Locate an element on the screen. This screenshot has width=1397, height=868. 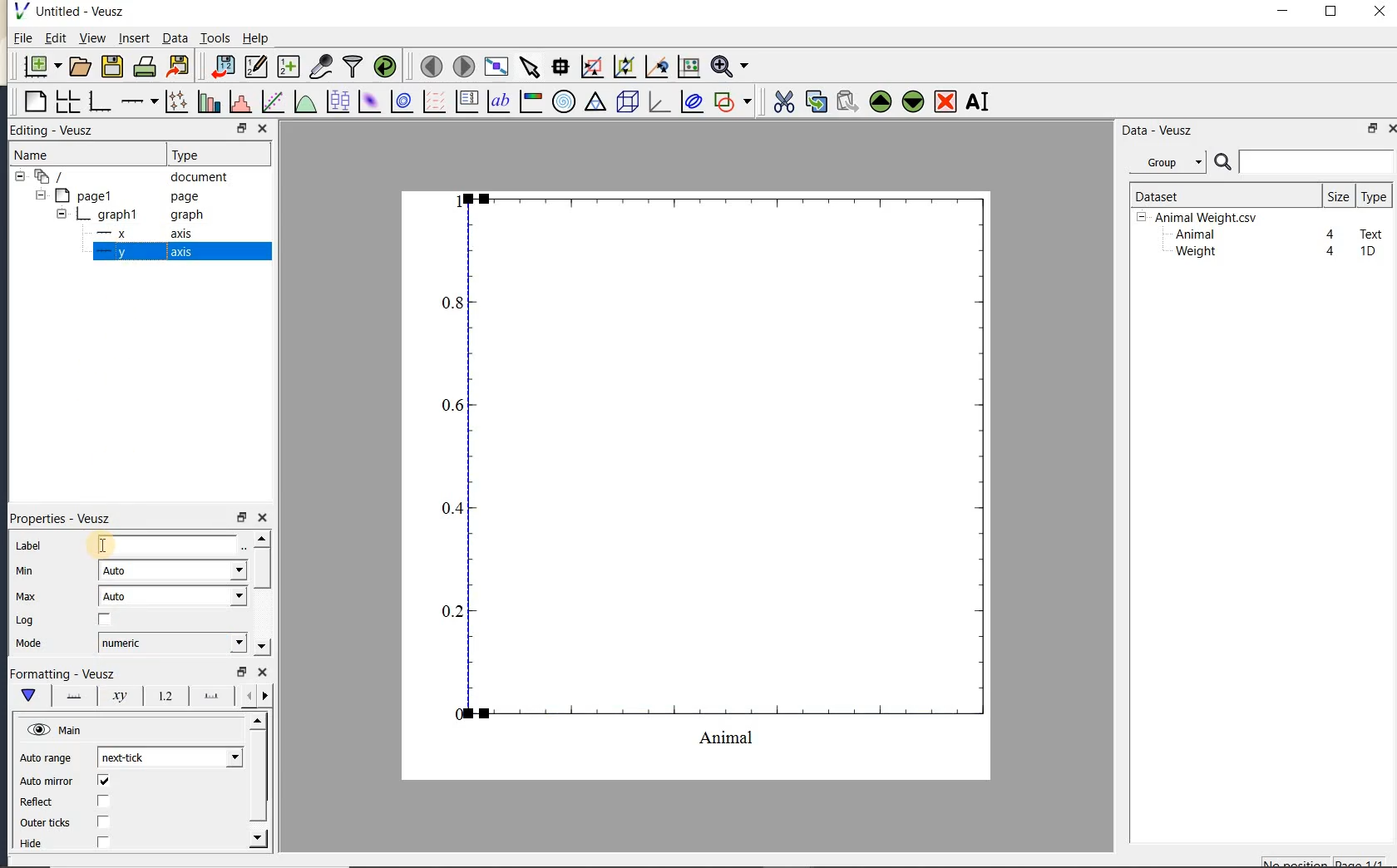
Animal is located at coordinates (1193, 235).